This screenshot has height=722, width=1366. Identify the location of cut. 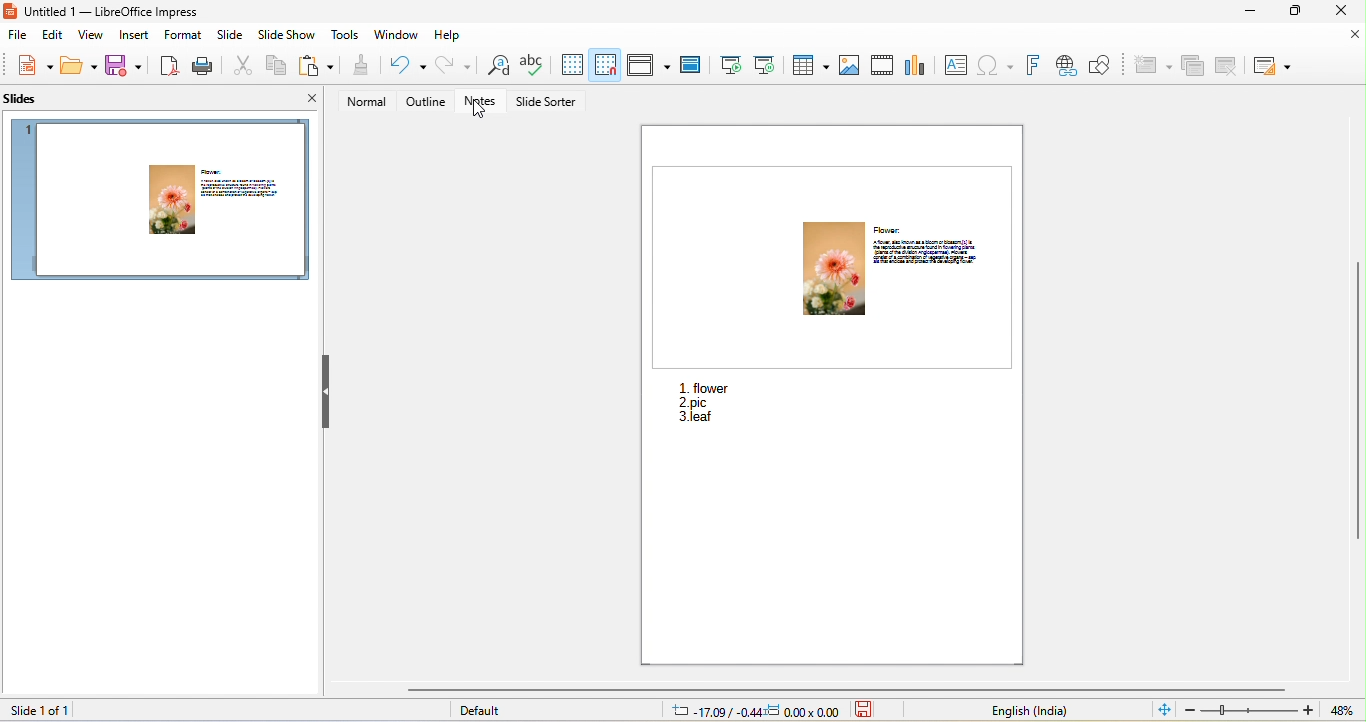
(240, 65).